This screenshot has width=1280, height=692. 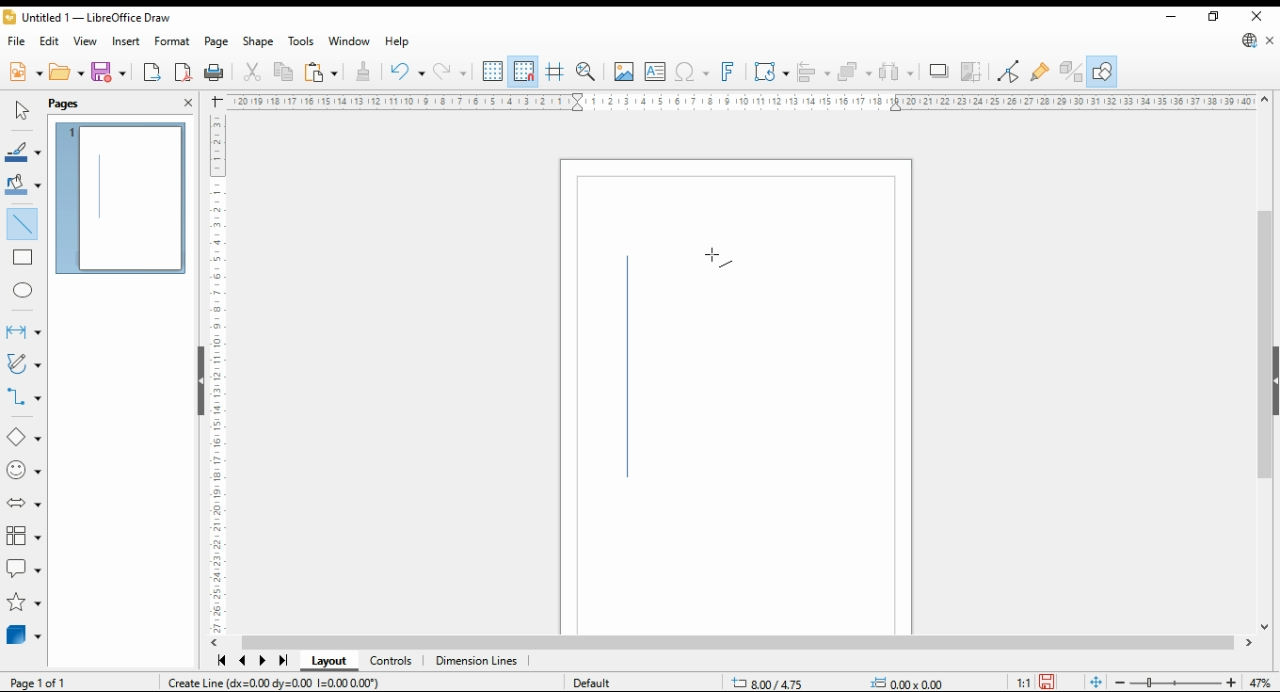 What do you see at coordinates (905, 682) in the screenshot?
I see `0.00x0.00` at bounding box center [905, 682].